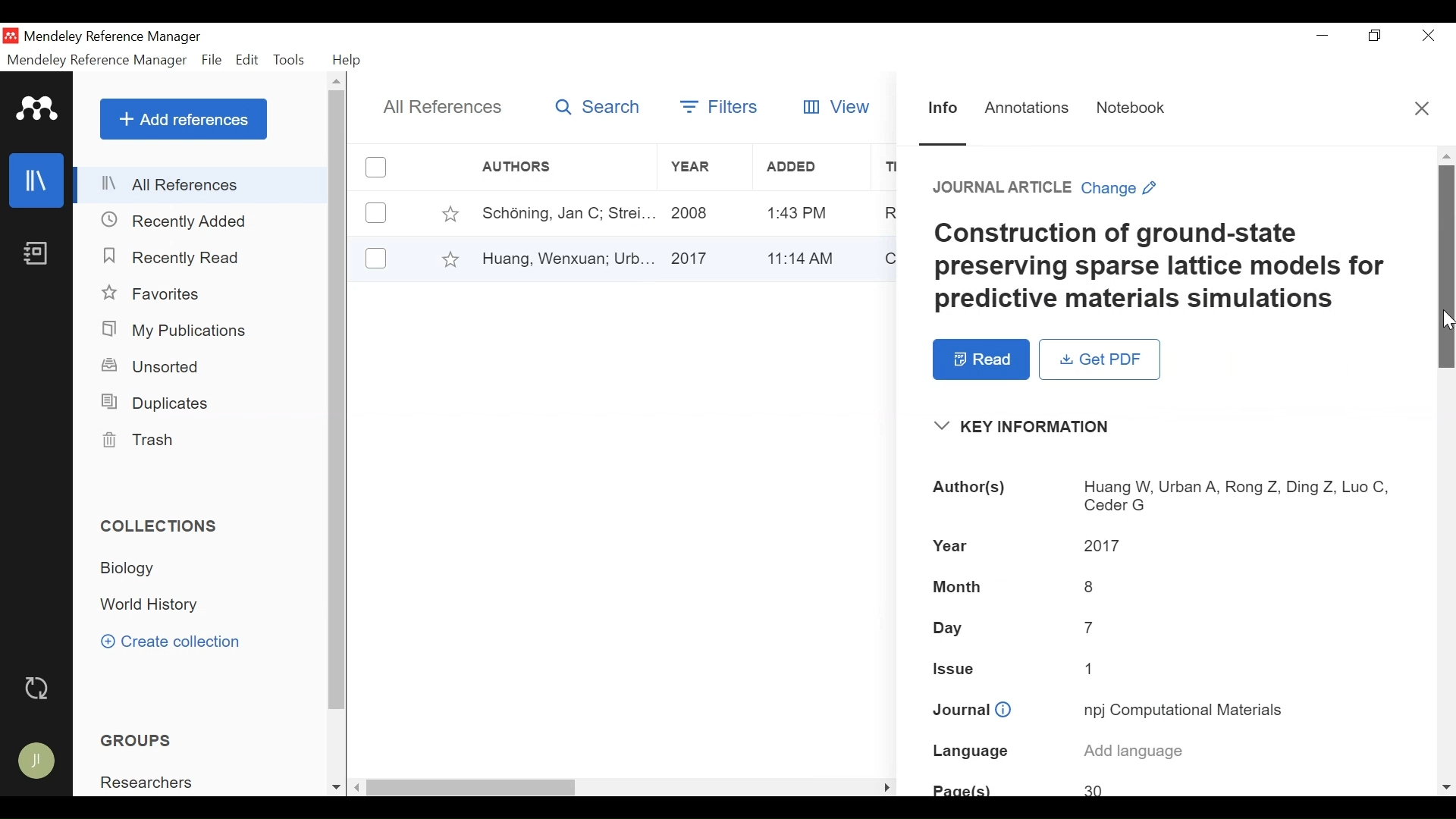 Image resolution: width=1456 pixels, height=819 pixels. Describe the element at coordinates (450, 259) in the screenshot. I see `Toggle Favorites` at that location.